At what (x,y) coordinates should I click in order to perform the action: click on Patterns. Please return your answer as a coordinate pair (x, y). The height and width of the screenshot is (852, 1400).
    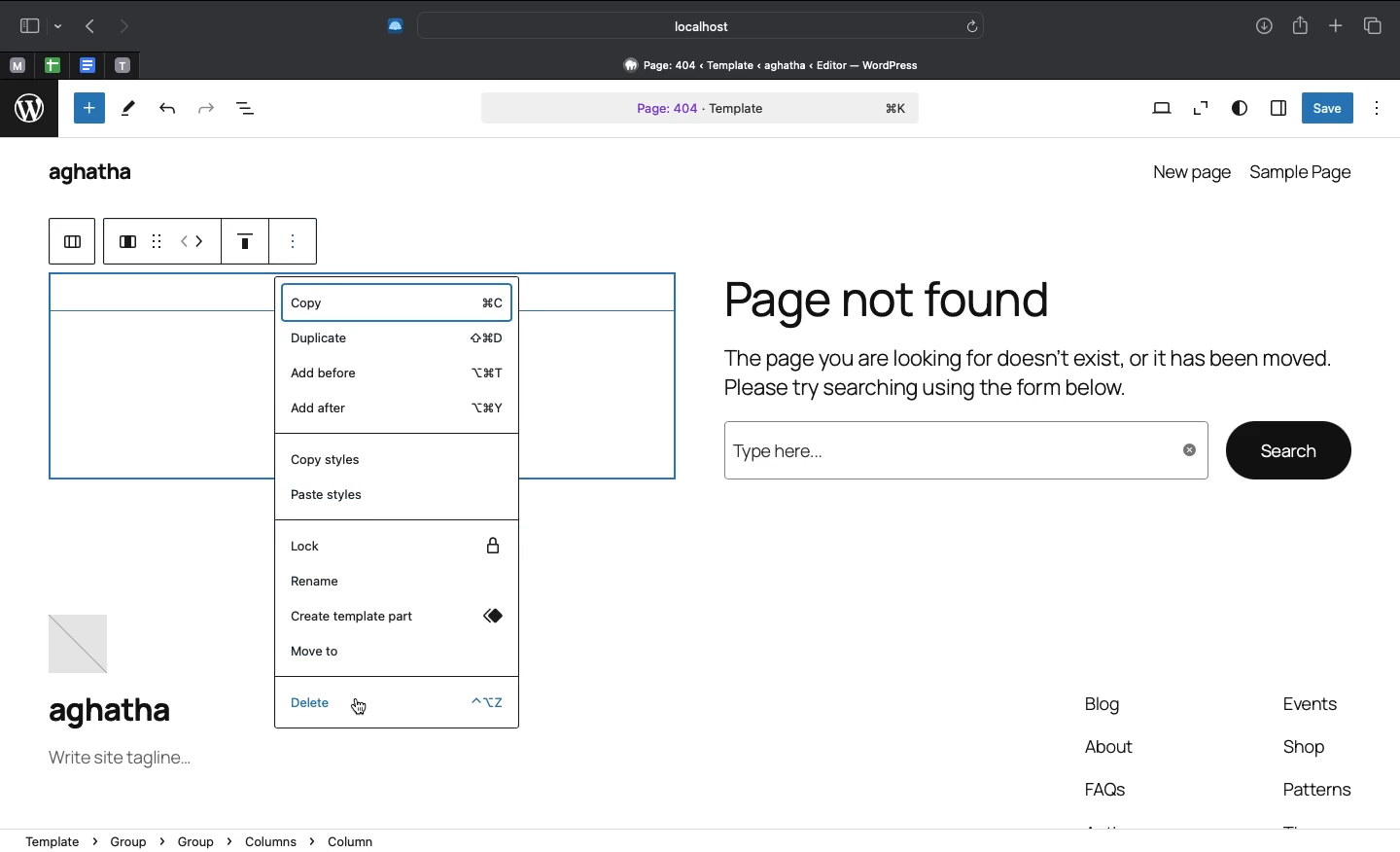
    Looking at the image, I should click on (1315, 790).